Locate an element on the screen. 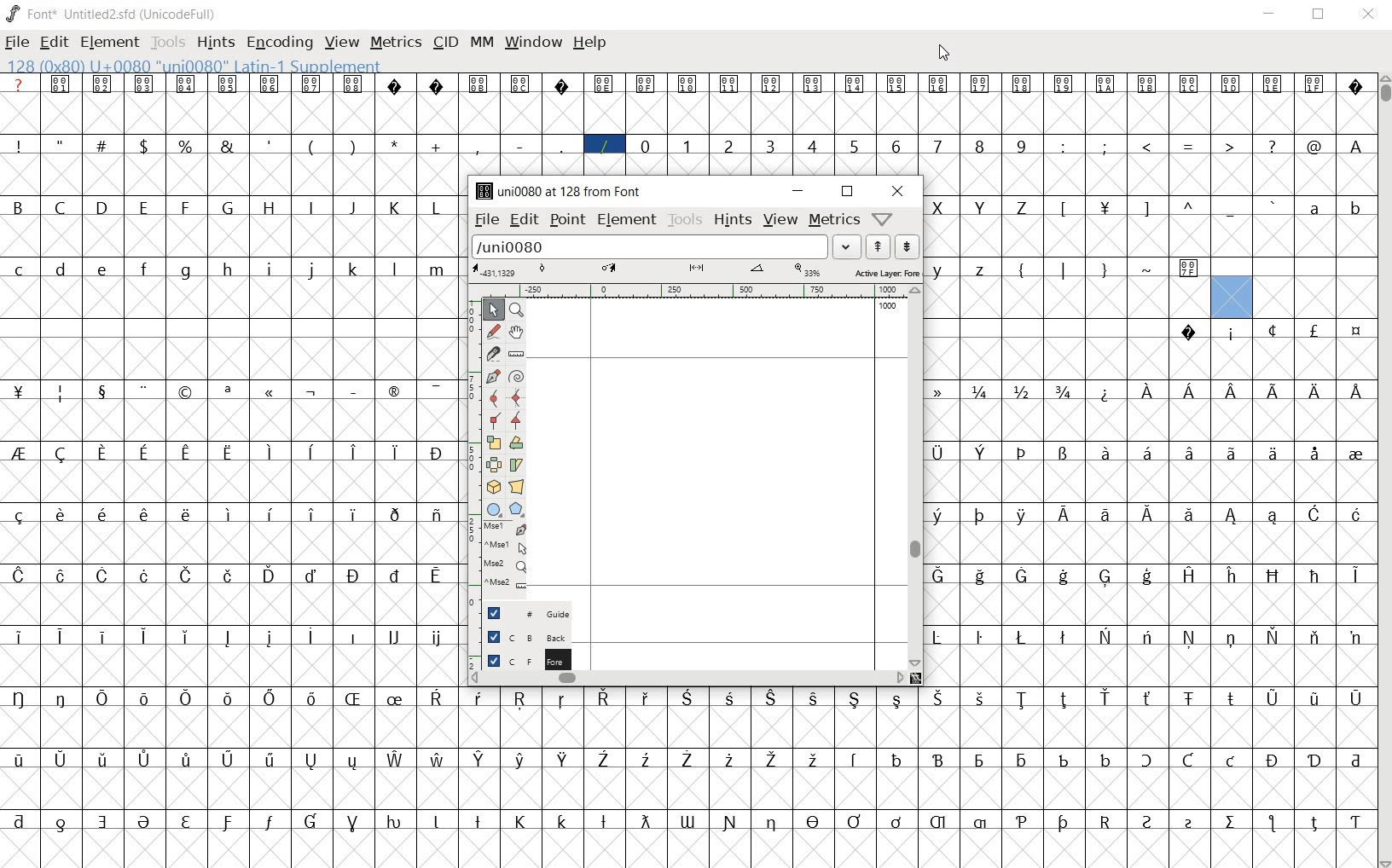  glyph is located at coordinates (311, 206).